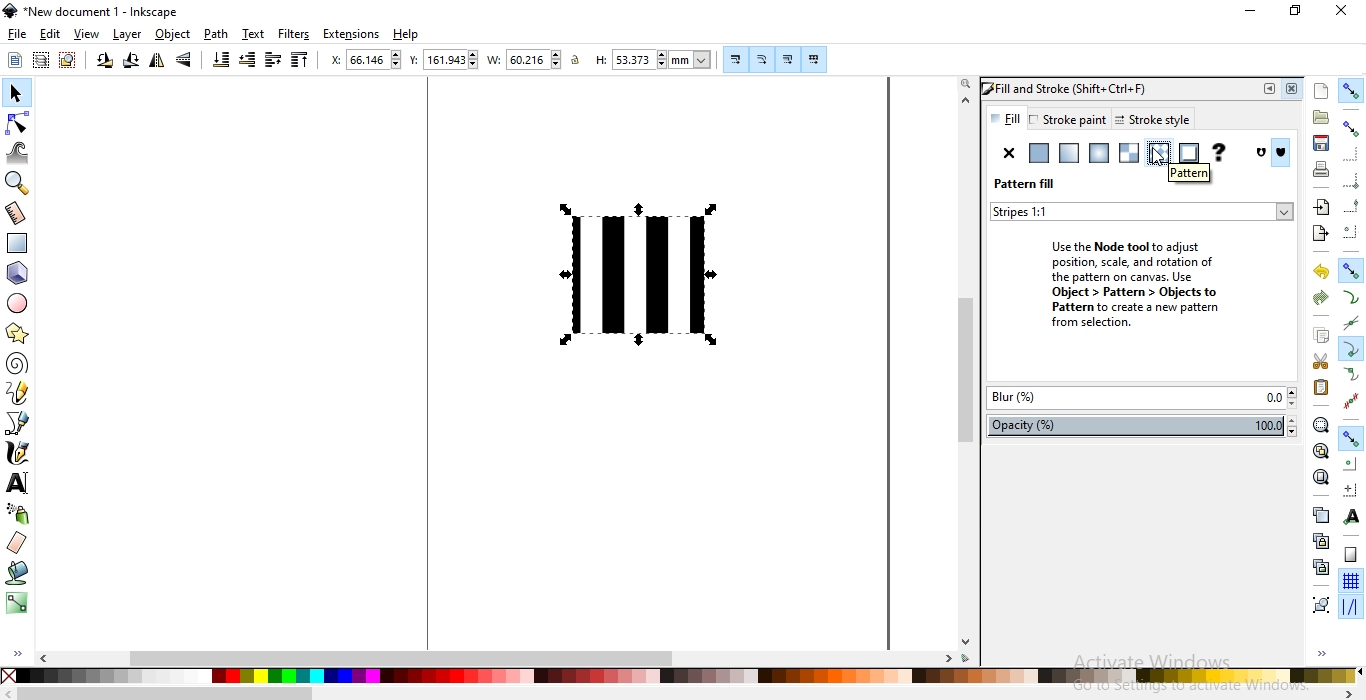 This screenshot has height=700, width=1366. Describe the element at coordinates (20, 152) in the screenshot. I see `tweak objects by sculpting or painting` at that location.